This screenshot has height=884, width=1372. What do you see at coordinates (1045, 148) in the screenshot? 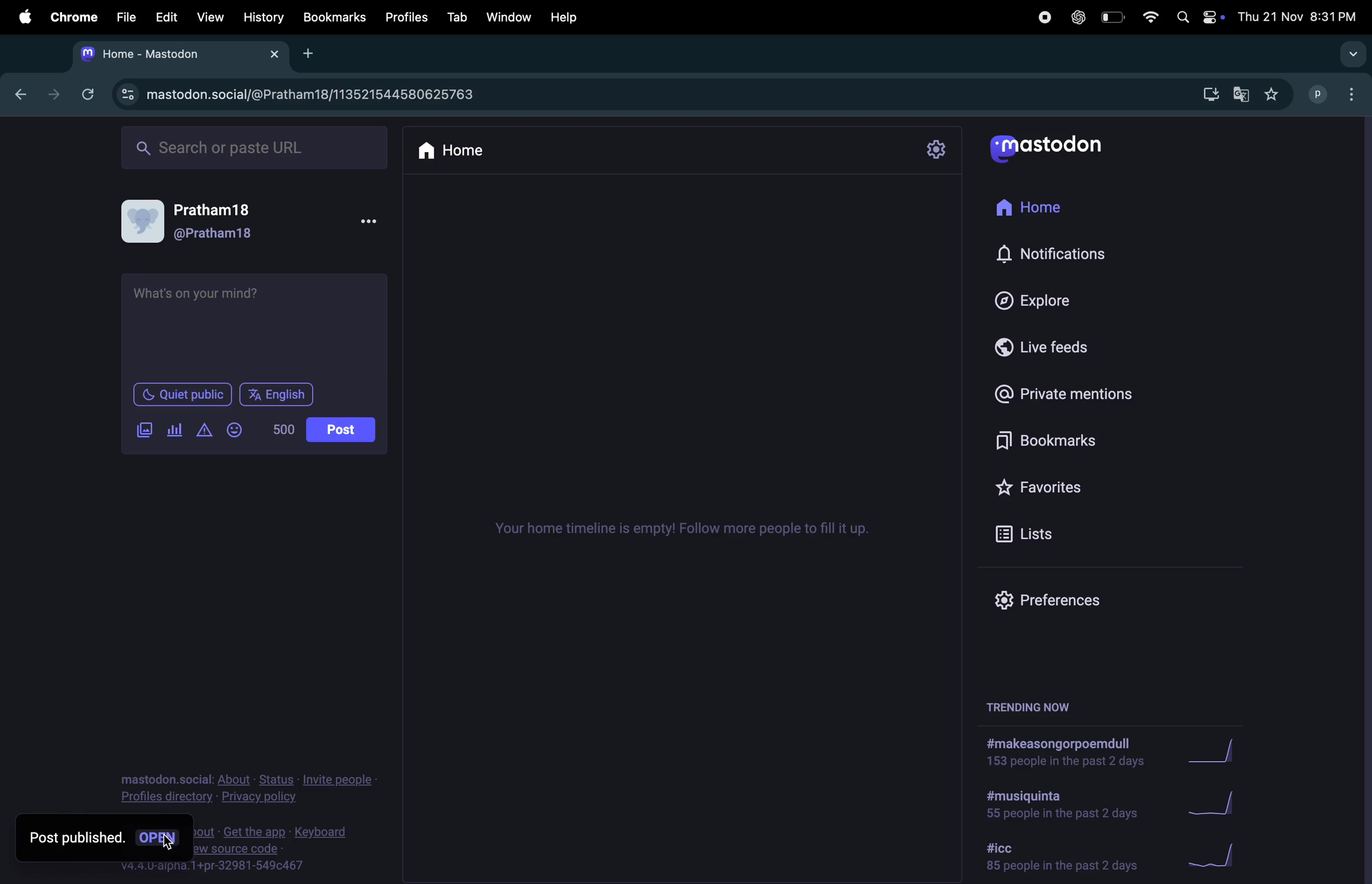
I see `mastadon` at bounding box center [1045, 148].